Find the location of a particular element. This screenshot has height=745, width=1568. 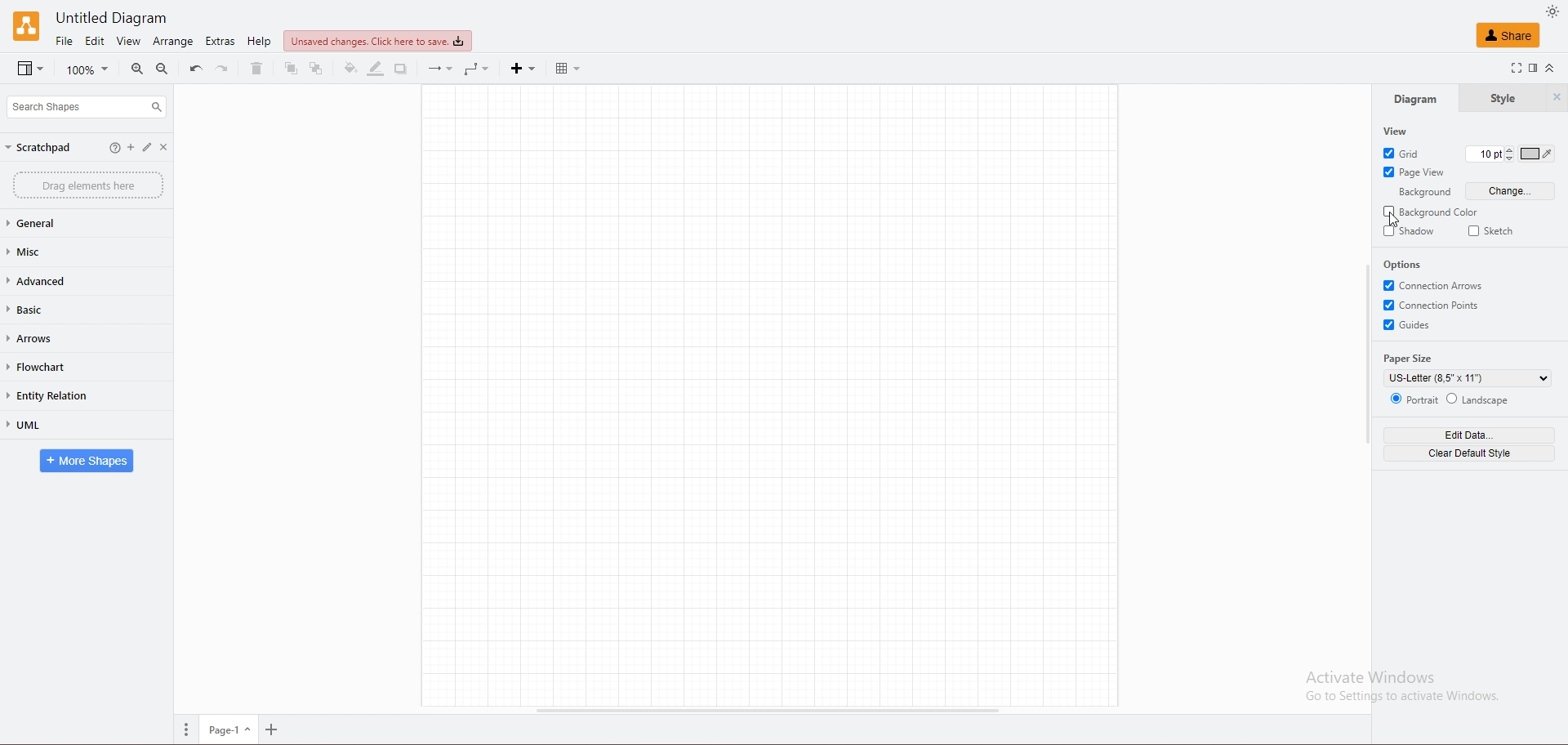

draw.io logo is located at coordinates (26, 25).